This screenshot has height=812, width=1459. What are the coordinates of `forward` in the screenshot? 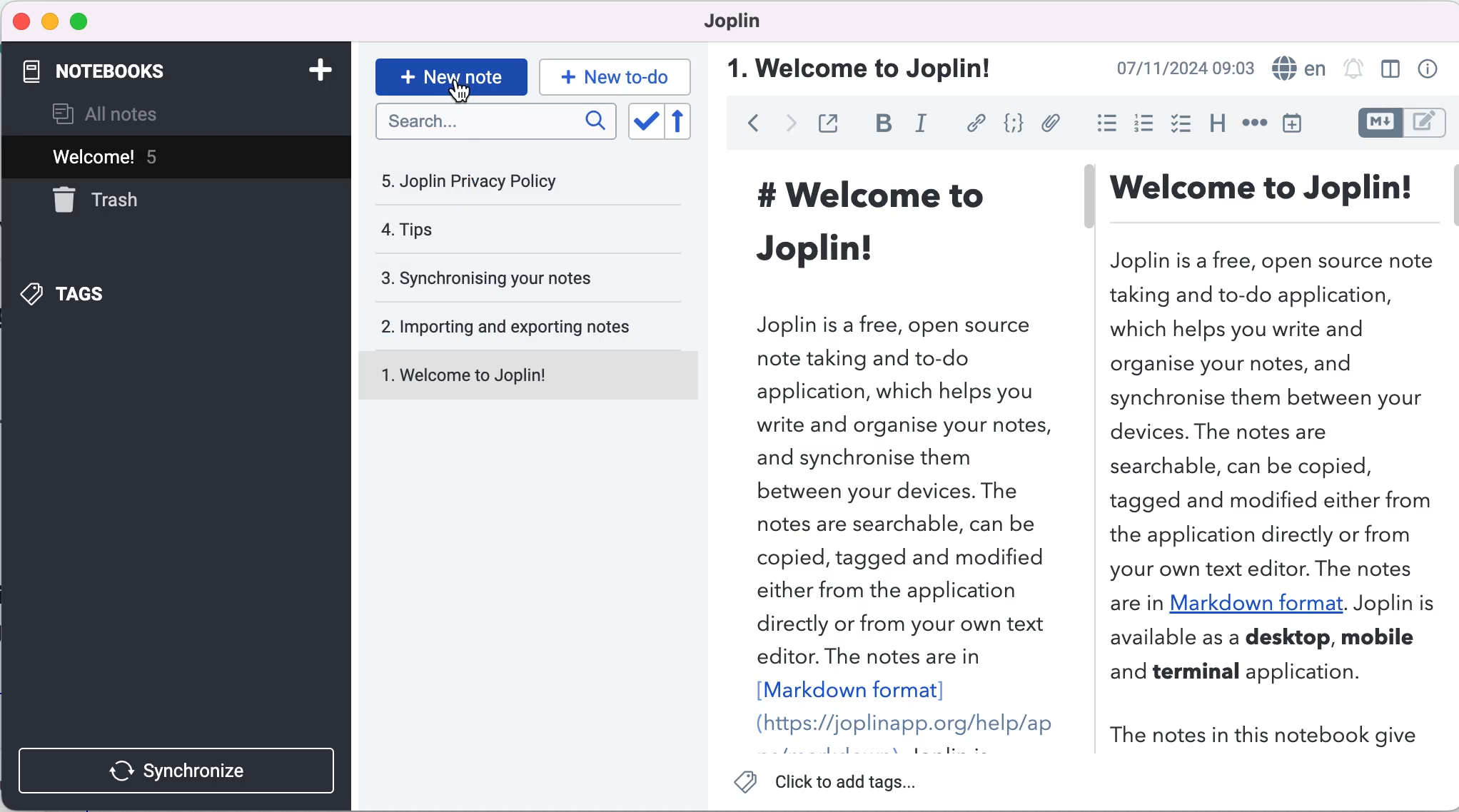 It's located at (787, 126).